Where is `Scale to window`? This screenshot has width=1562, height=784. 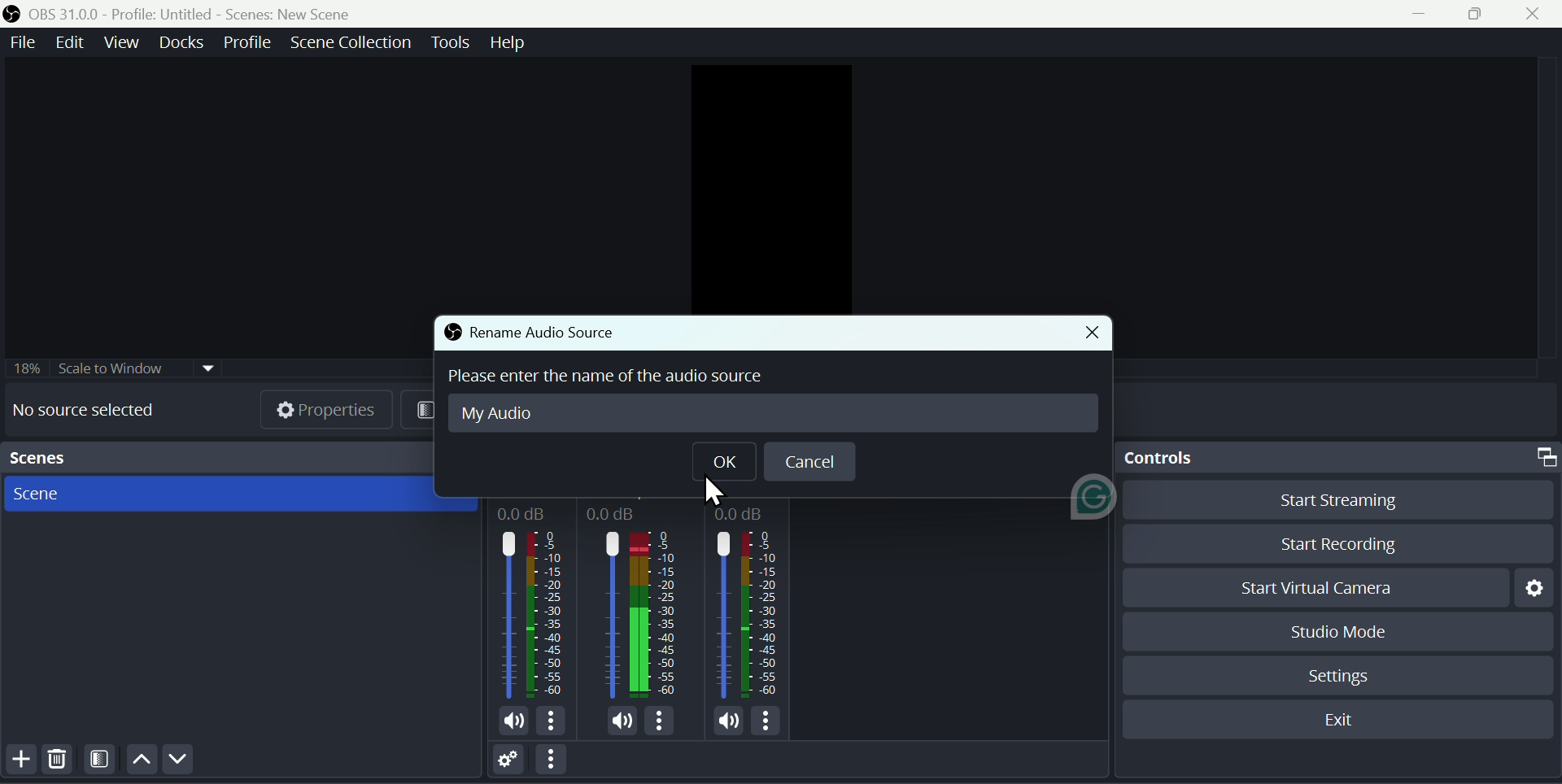 Scale to window is located at coordinates (111, 368).